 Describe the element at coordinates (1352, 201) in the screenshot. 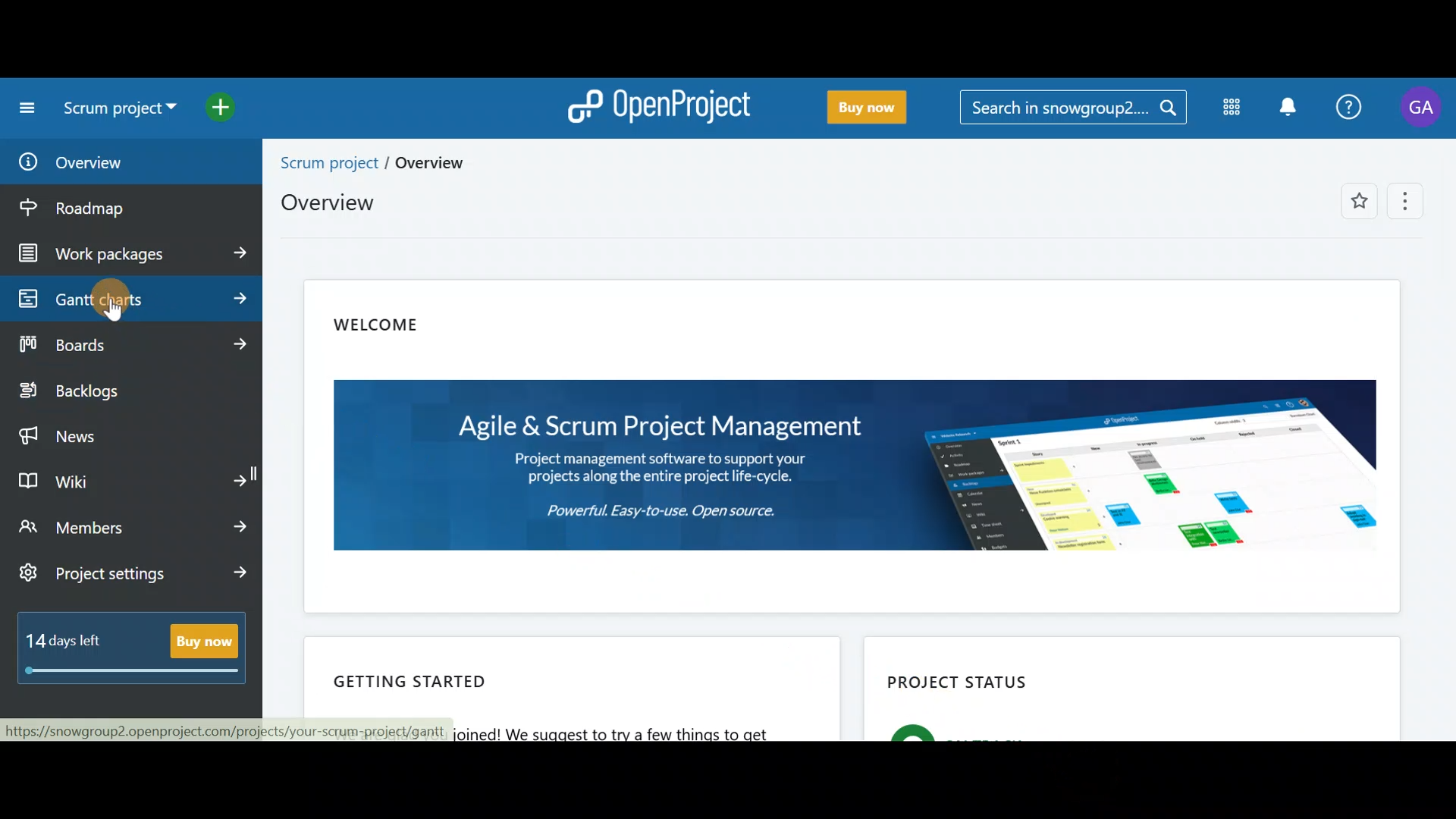

I see `Add to Favorites` at that location.